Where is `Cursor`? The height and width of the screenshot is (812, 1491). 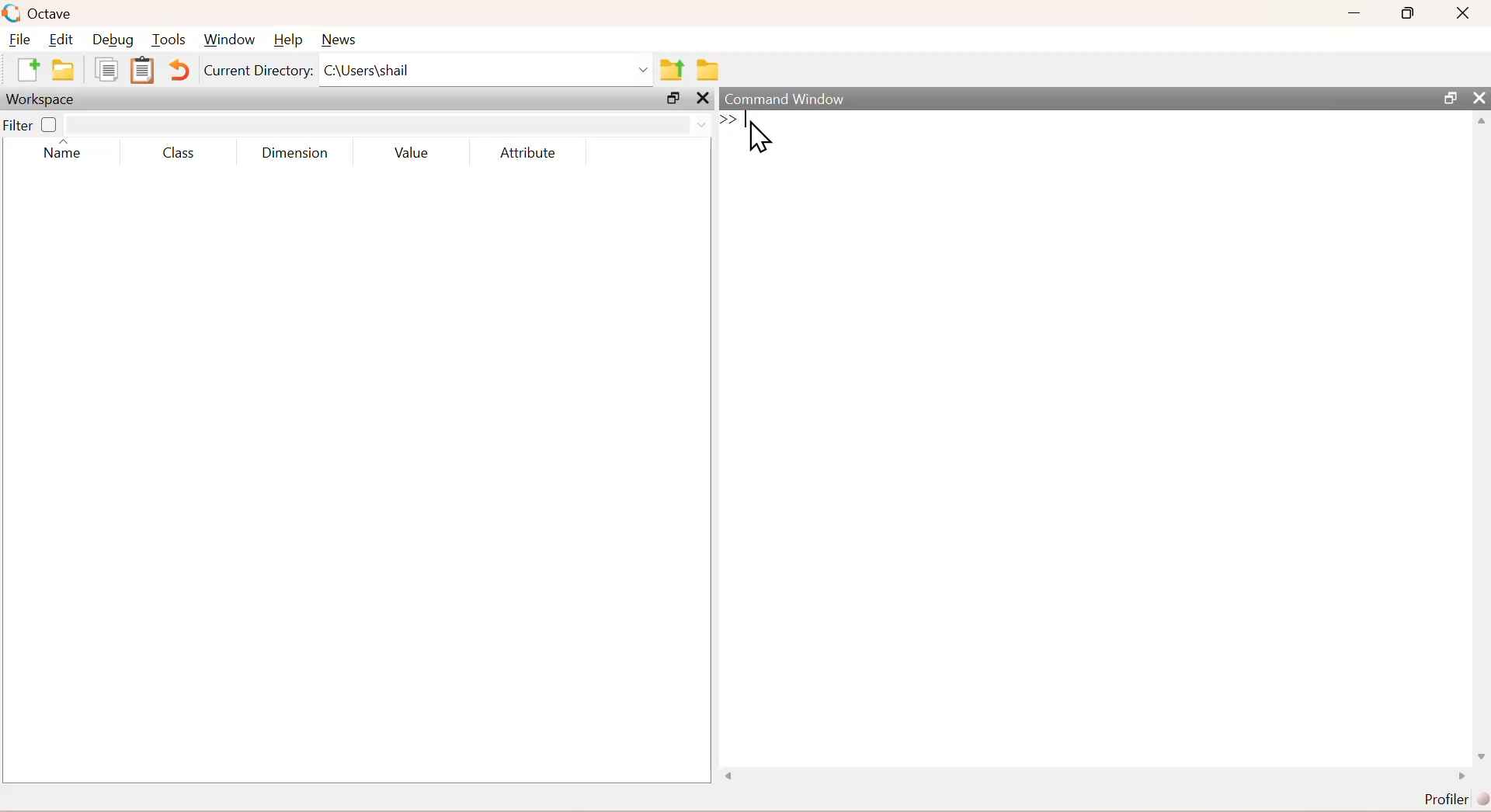 Cursor is located at coordinates (756, 134).